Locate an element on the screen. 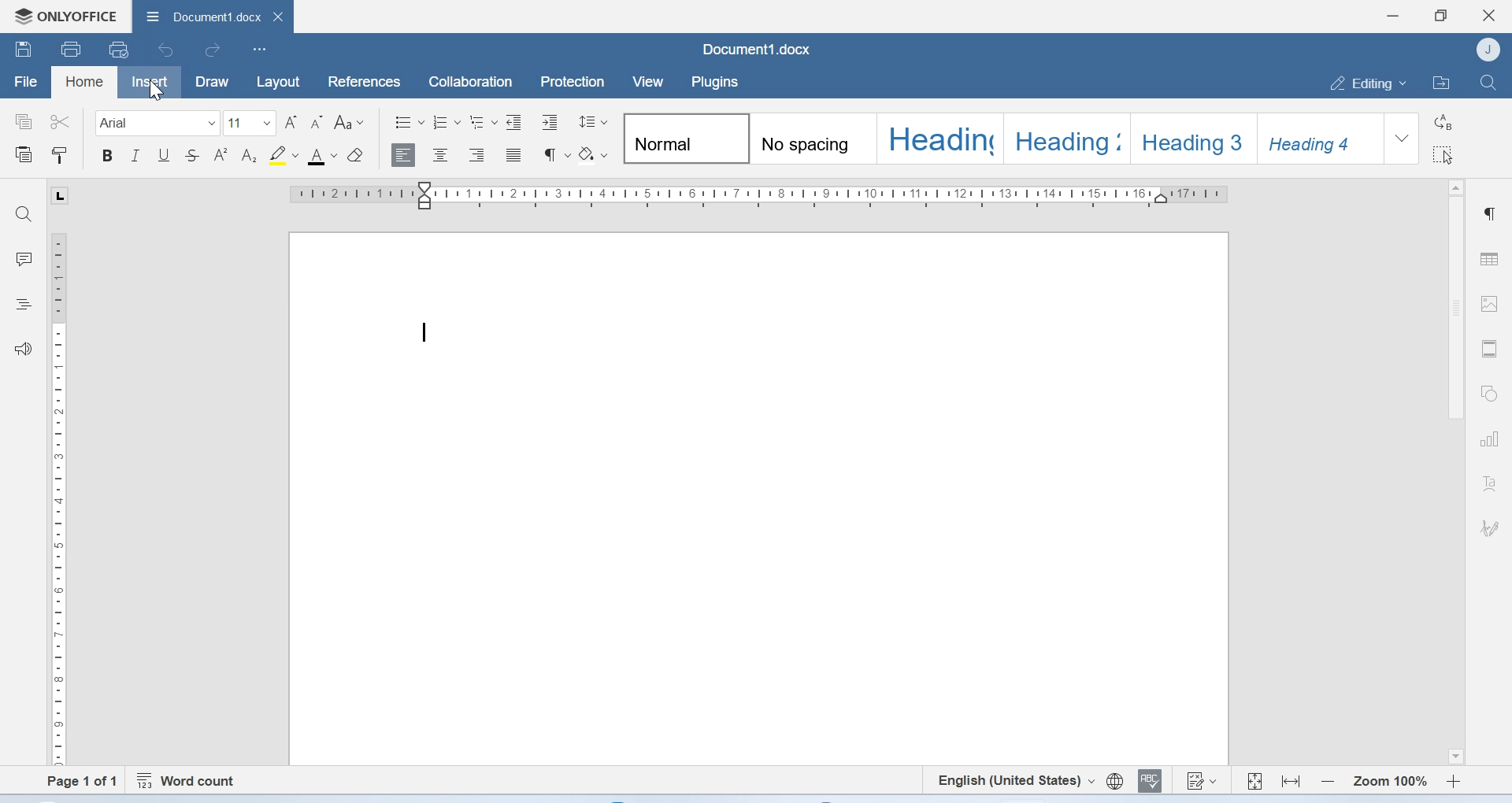  Draw is located at coordinates (216, 81).